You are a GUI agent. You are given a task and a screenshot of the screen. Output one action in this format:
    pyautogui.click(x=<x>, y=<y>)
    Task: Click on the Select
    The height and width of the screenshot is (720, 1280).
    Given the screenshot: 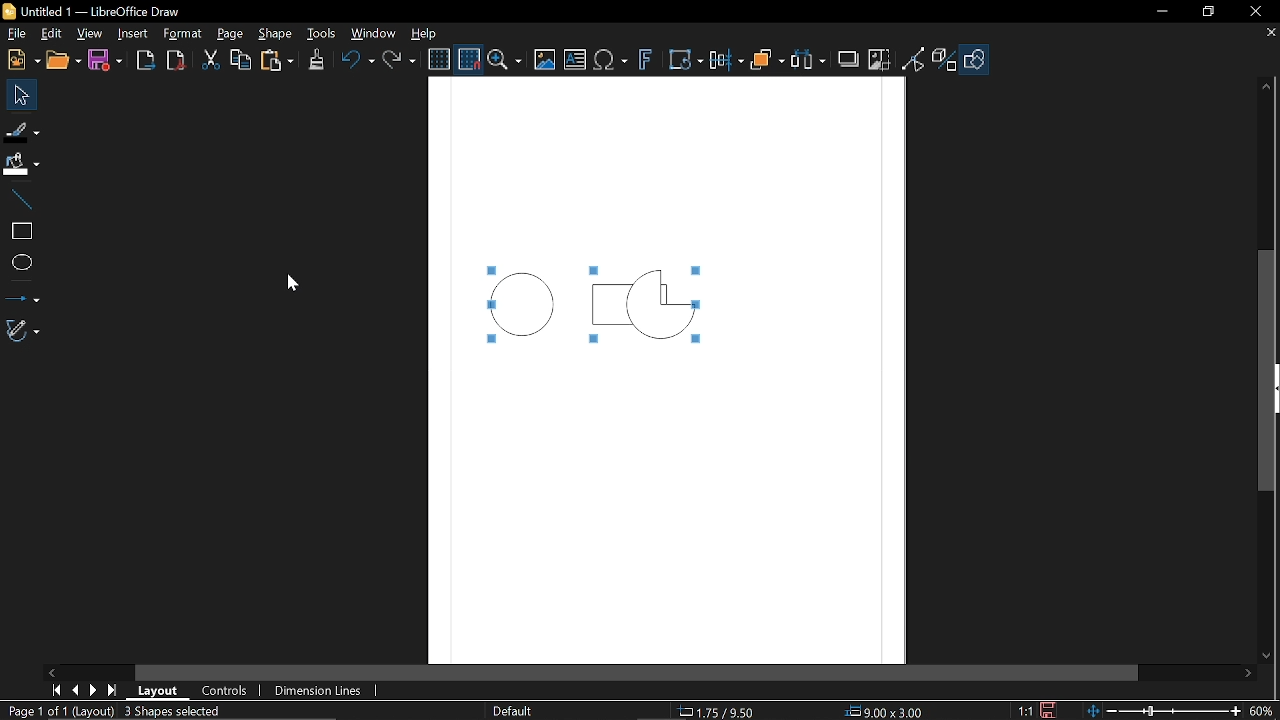 What is the action you would take?
    pyautogui.click(x=19, y=95)
    